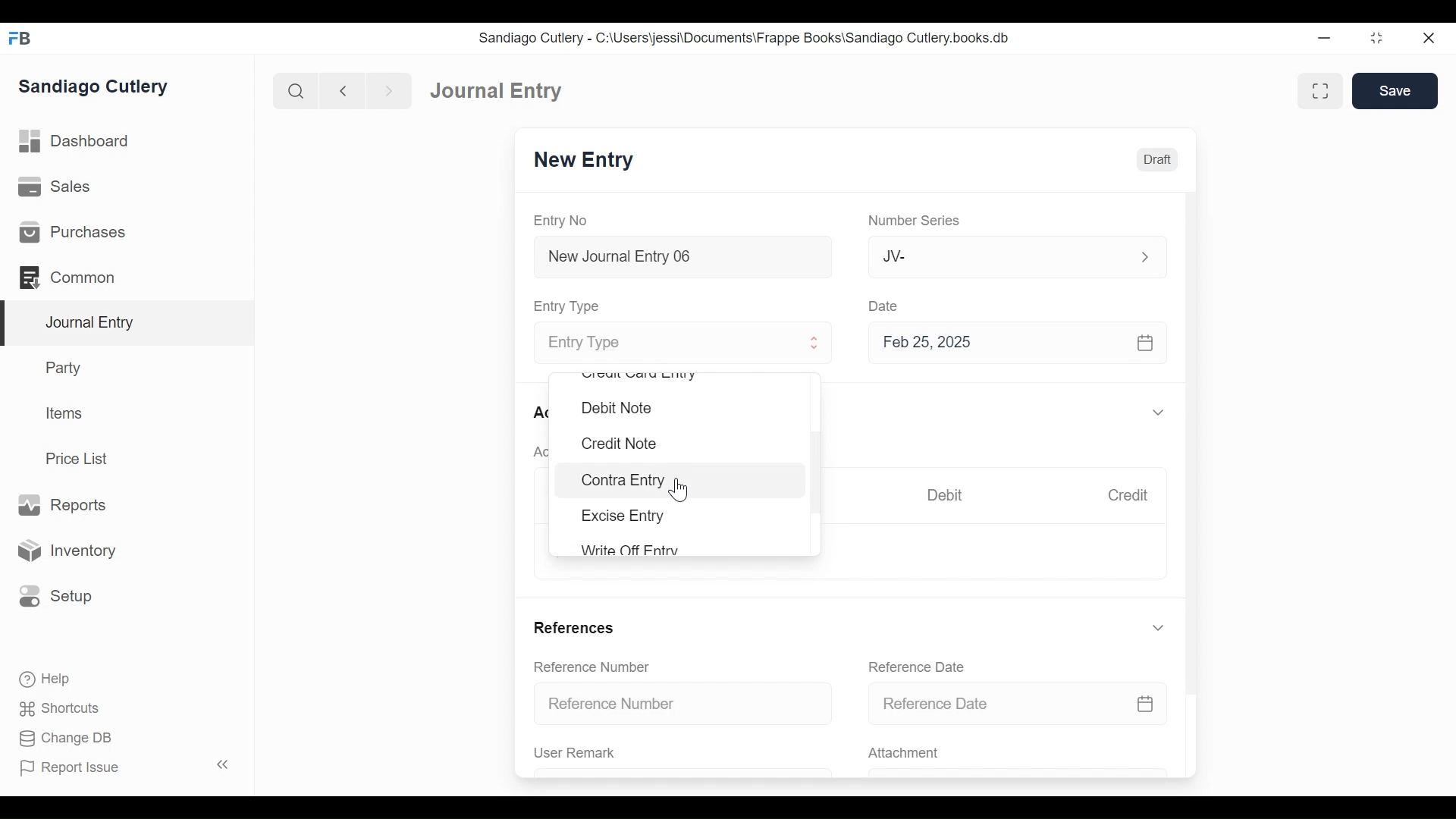 Image resolution: width=1456 pixels, height=819 pixels. What do you see at coordinates (569, 306) in the screenshot?
I see `Entry Type` at bounding box center [569, 306].